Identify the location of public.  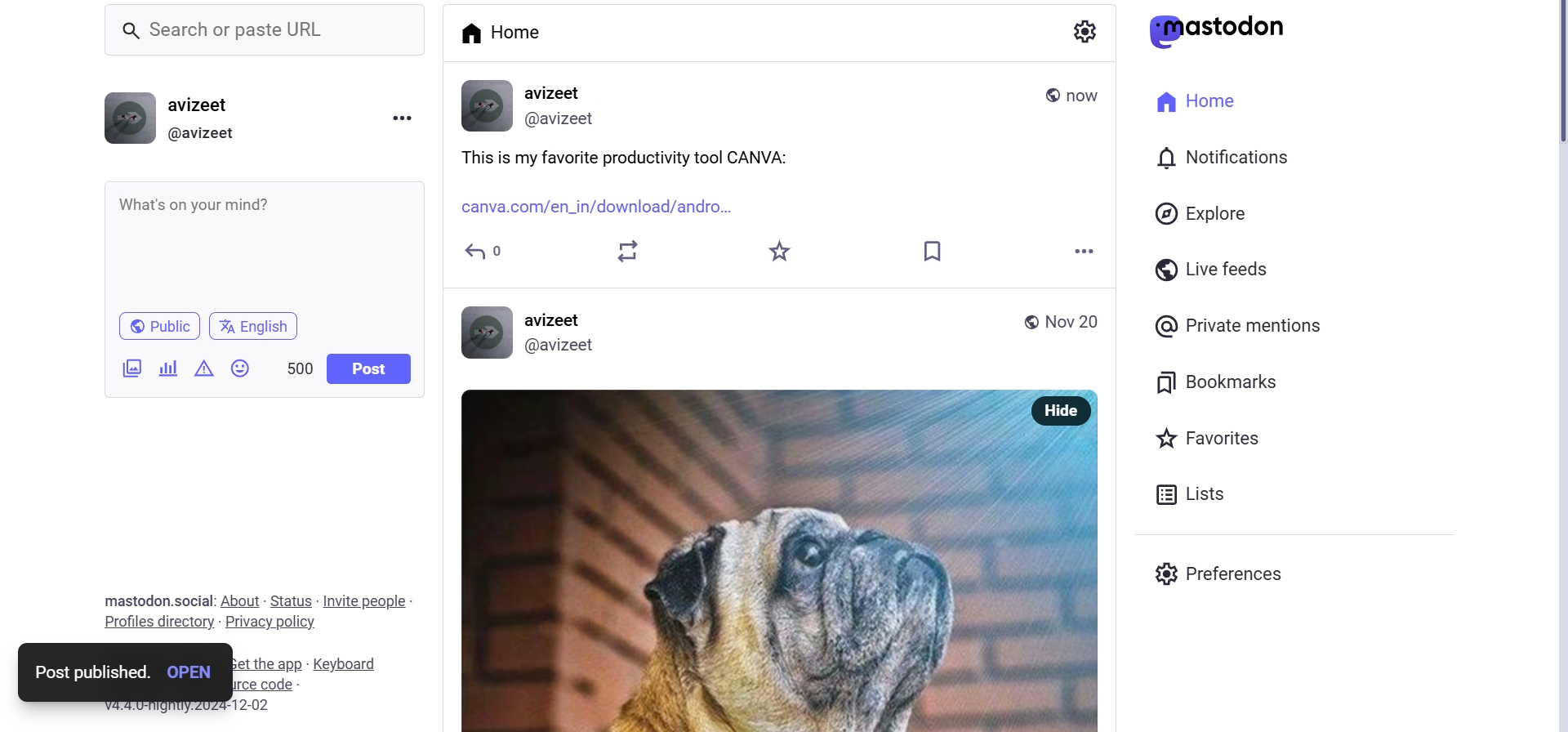
(1031, 323).